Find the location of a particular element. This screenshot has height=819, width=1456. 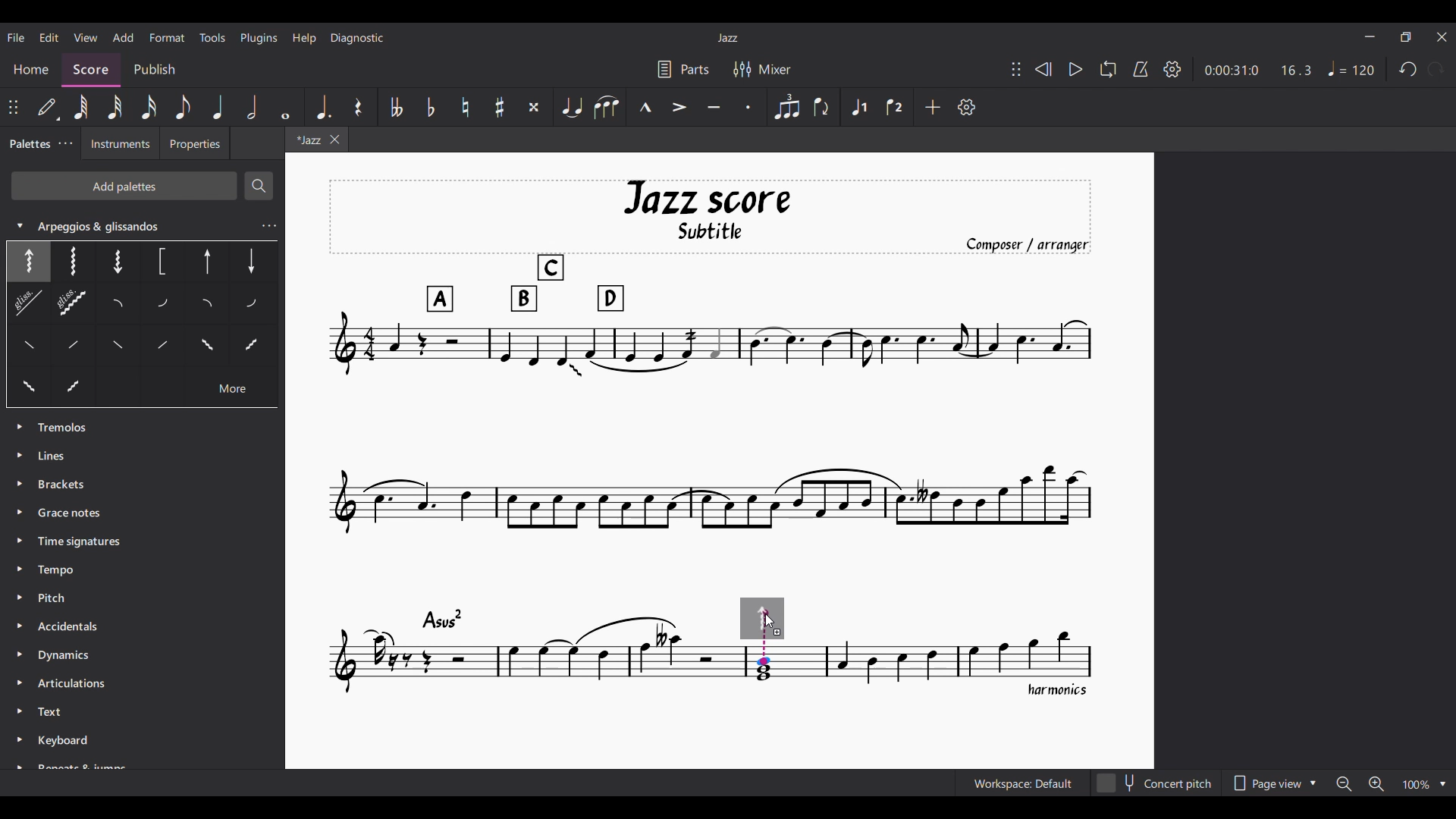

Dynamics is located at coordinates (67, 657).